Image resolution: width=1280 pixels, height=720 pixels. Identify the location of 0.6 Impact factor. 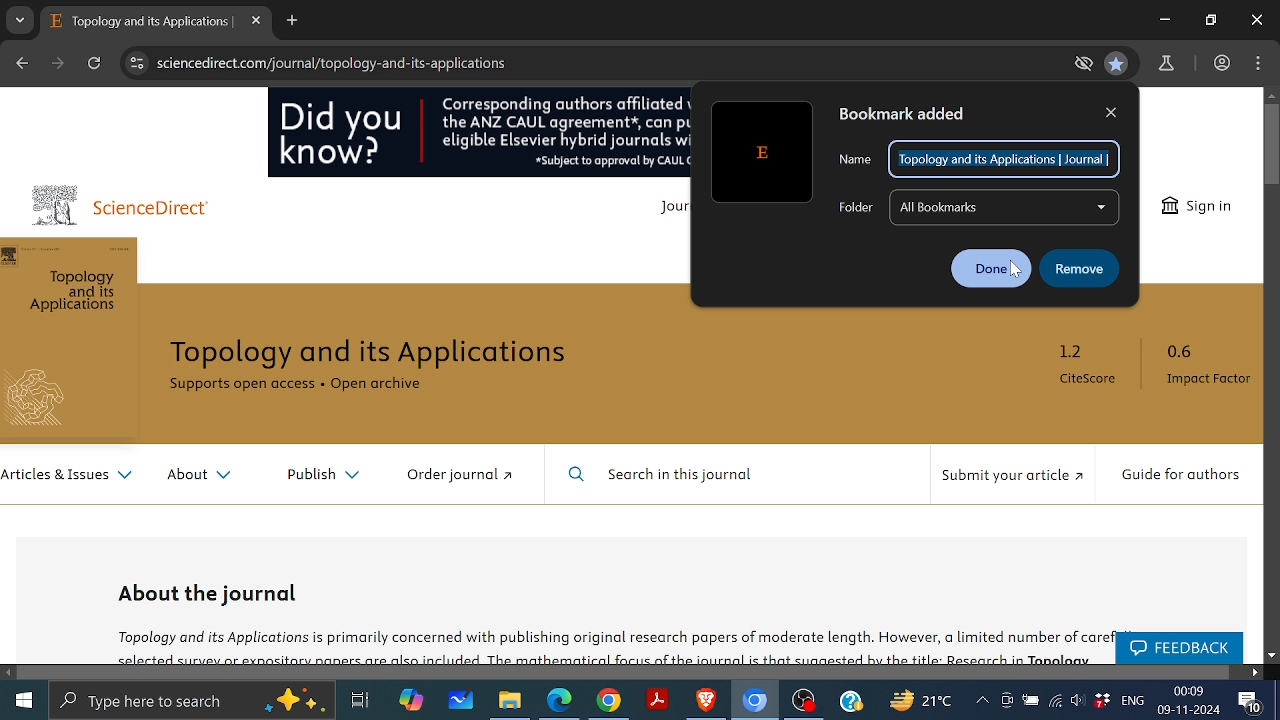
(1203, 368).